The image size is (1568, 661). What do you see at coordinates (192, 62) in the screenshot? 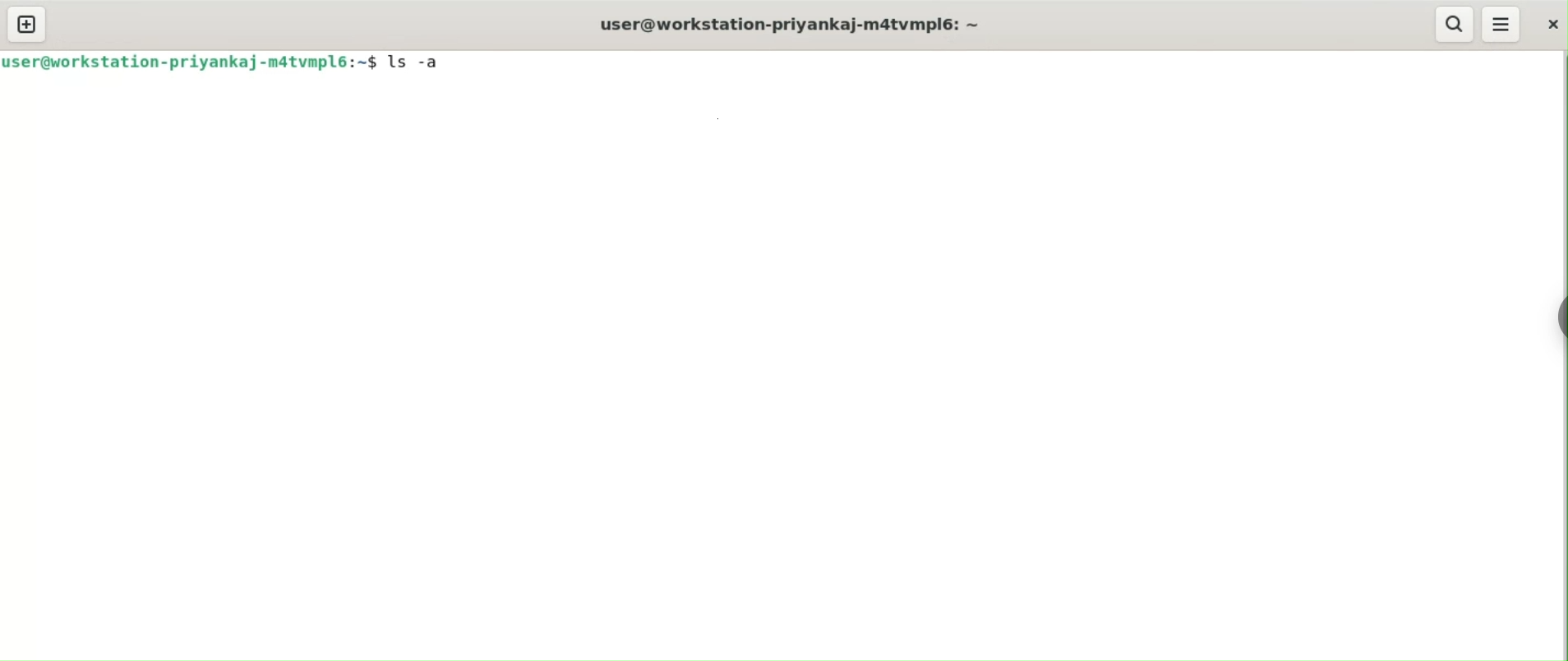
I see `user@workstation-priyankaj-m4tvmpl6:~$` at bounding box center [192, 62].